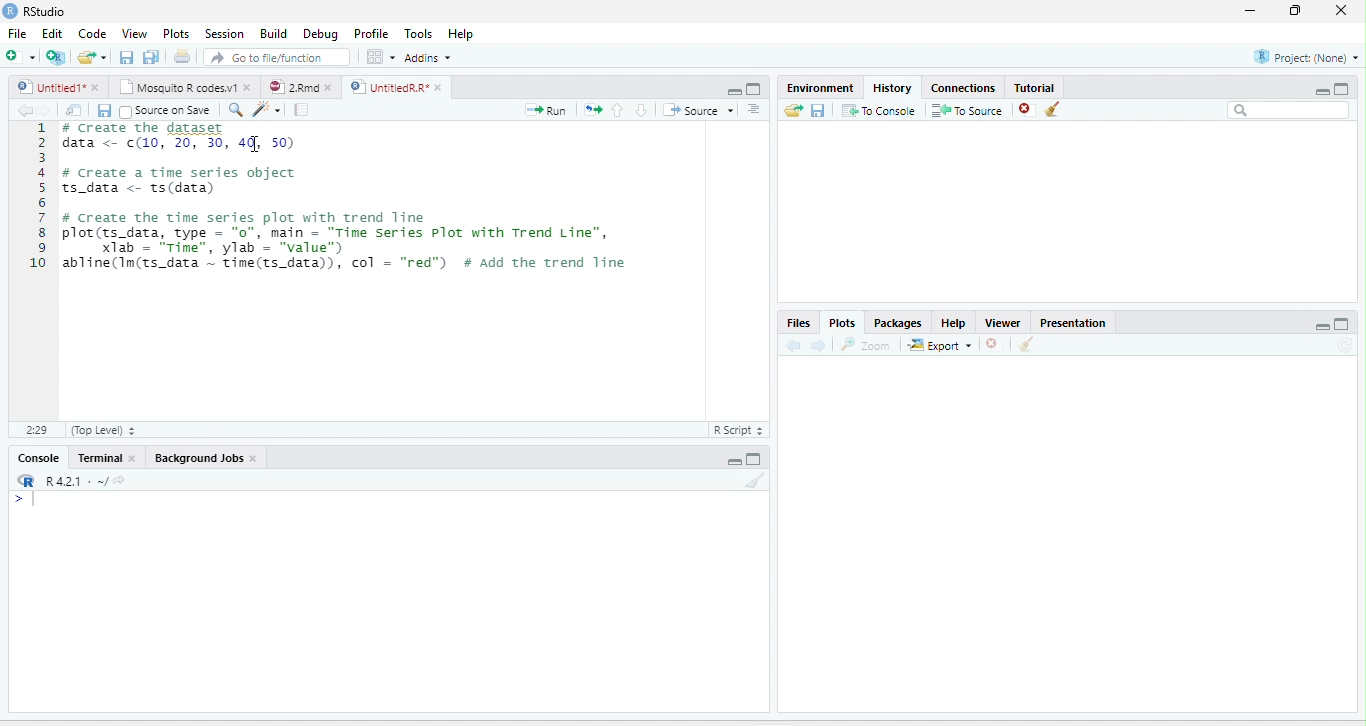  What do you see at coordinates (197, 458) in the screenshot?
I see `Background Jobs` at bounding box center [197, 458].